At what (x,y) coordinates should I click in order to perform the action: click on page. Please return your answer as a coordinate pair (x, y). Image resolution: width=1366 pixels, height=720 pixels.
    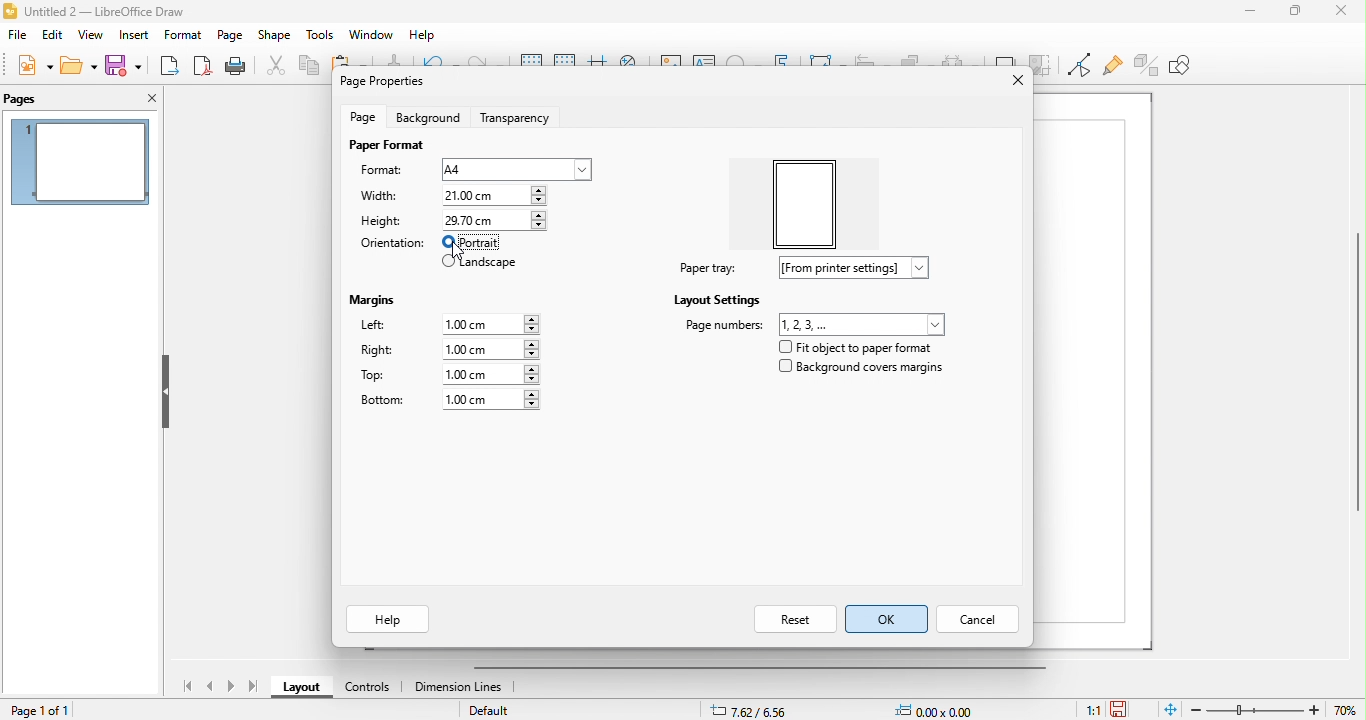
    Looking at the image, I should click on (362, 120).